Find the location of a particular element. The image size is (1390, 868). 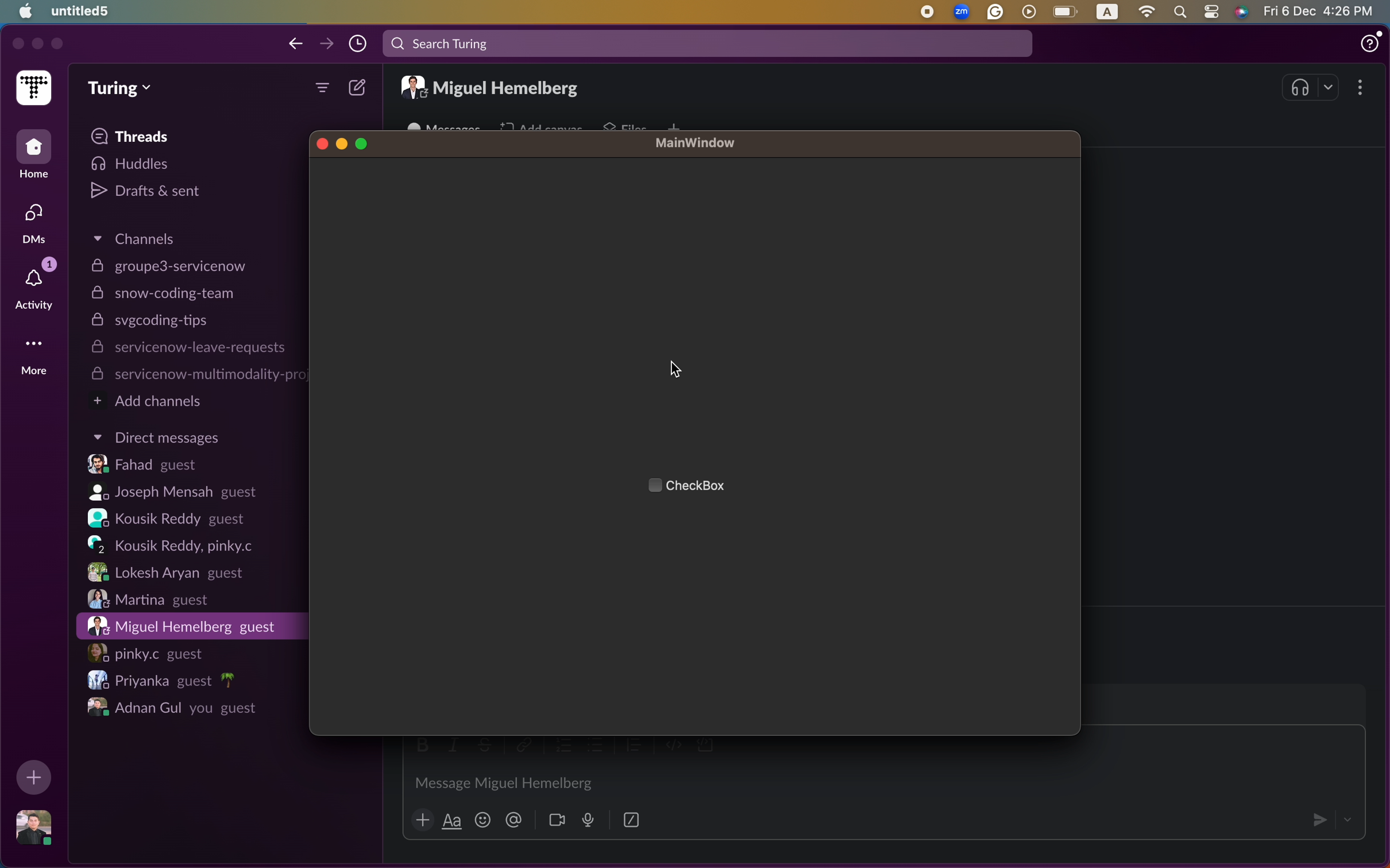

Turing is located at coordinates (121, 88).